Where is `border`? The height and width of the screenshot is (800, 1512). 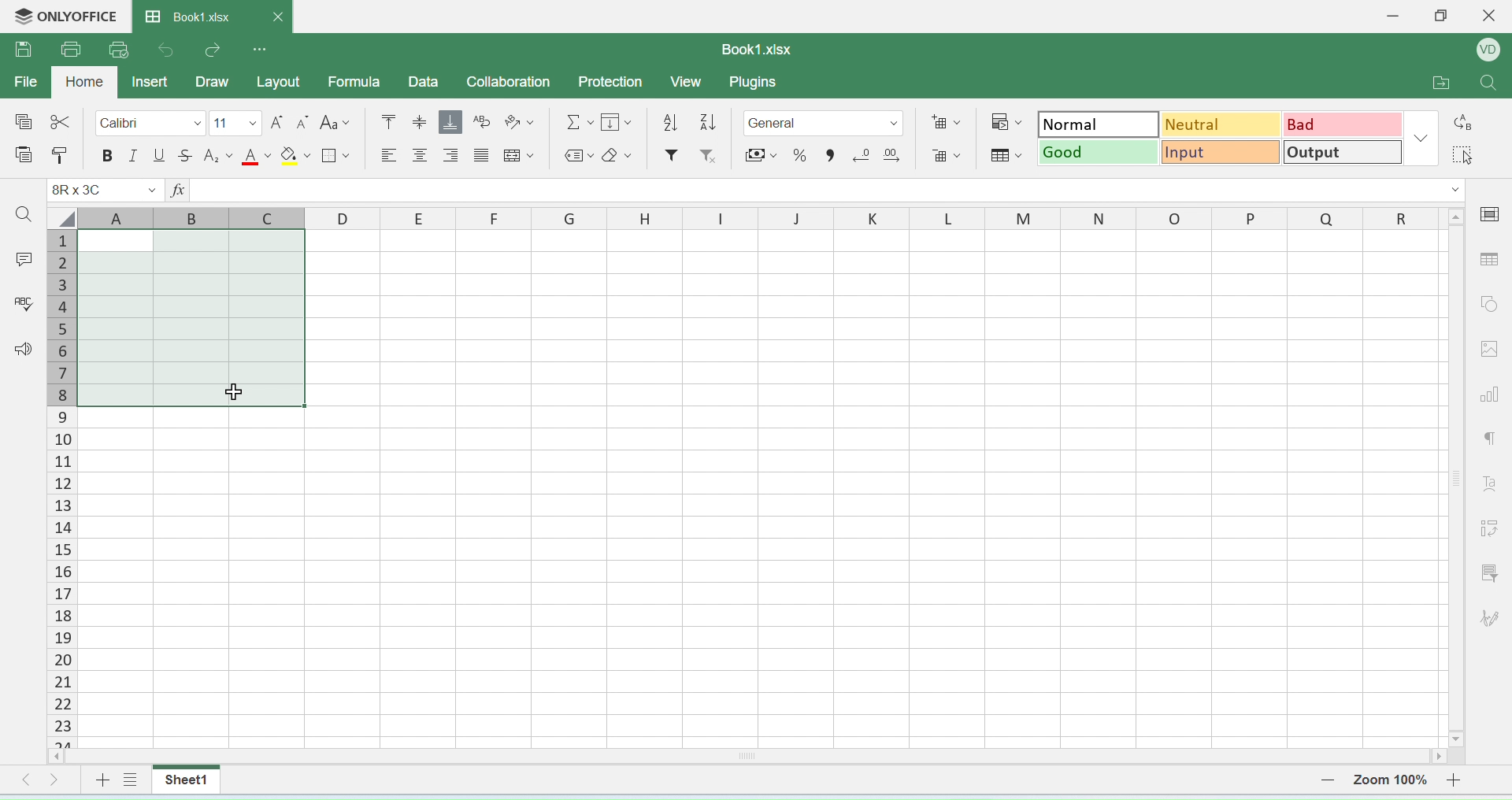 border is located at coordinates (336, 157).